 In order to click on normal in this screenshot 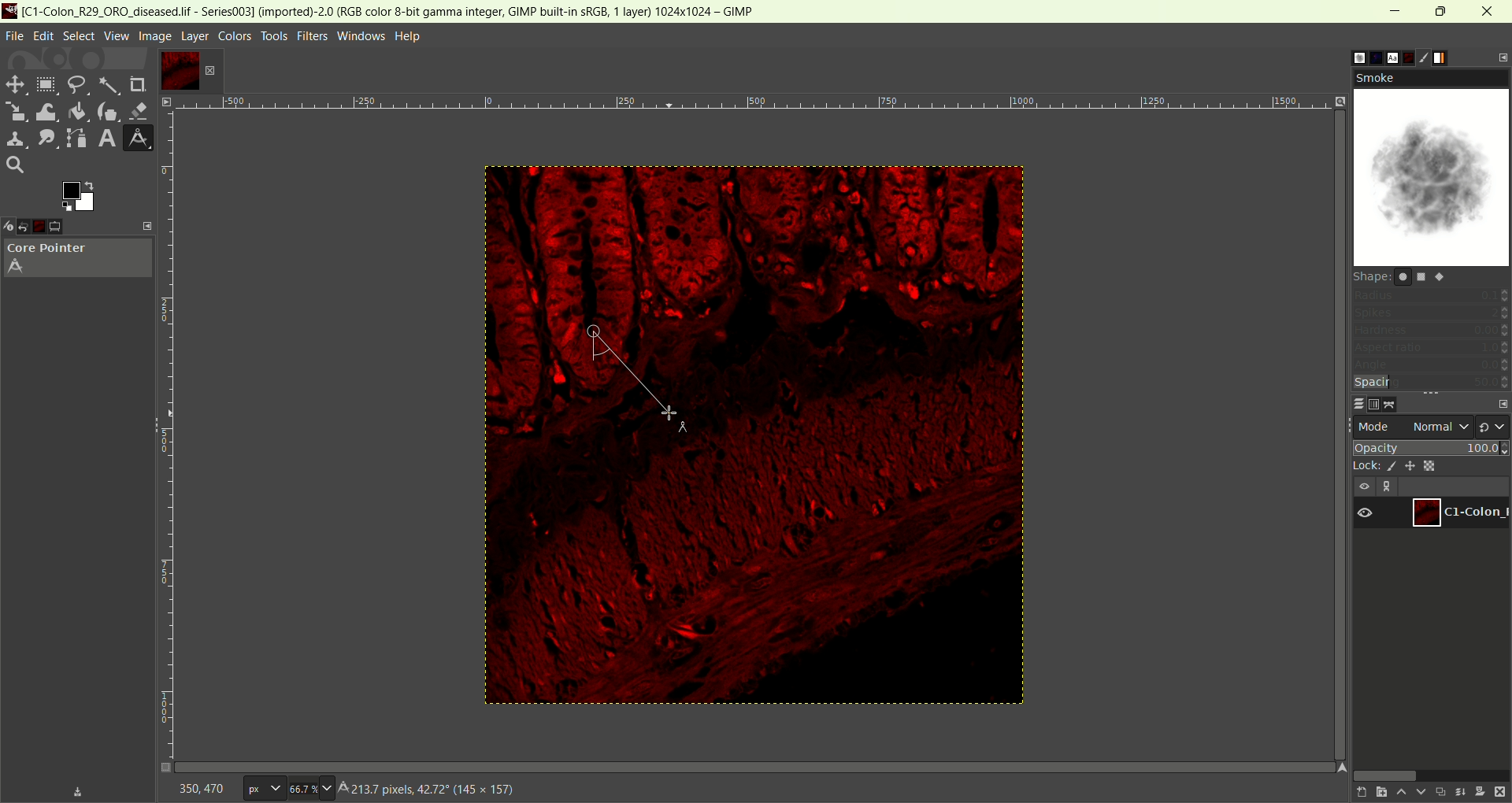, I will do `click(1440, 426)`.